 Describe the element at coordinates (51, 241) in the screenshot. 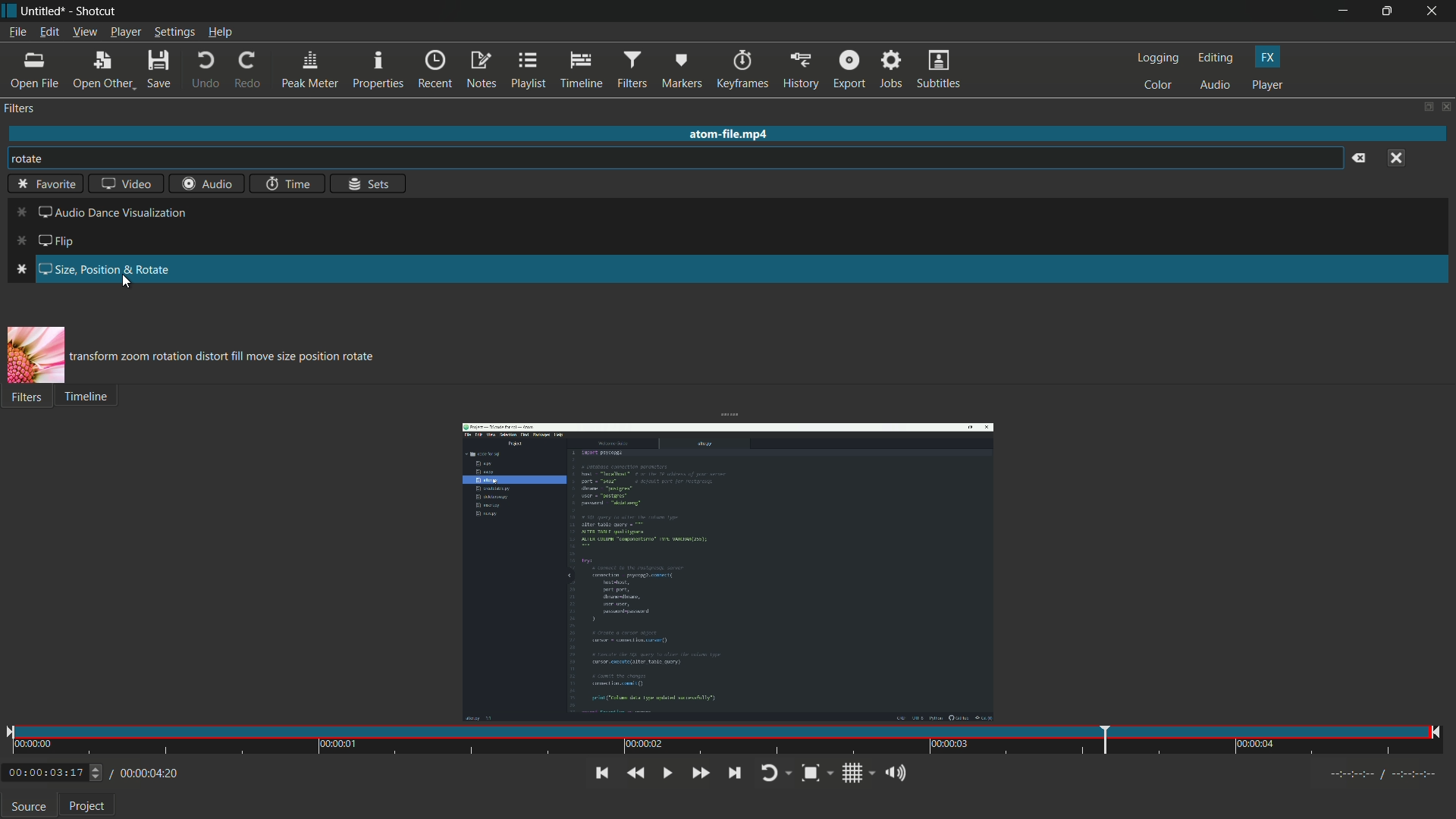

I see `flip` at that location.